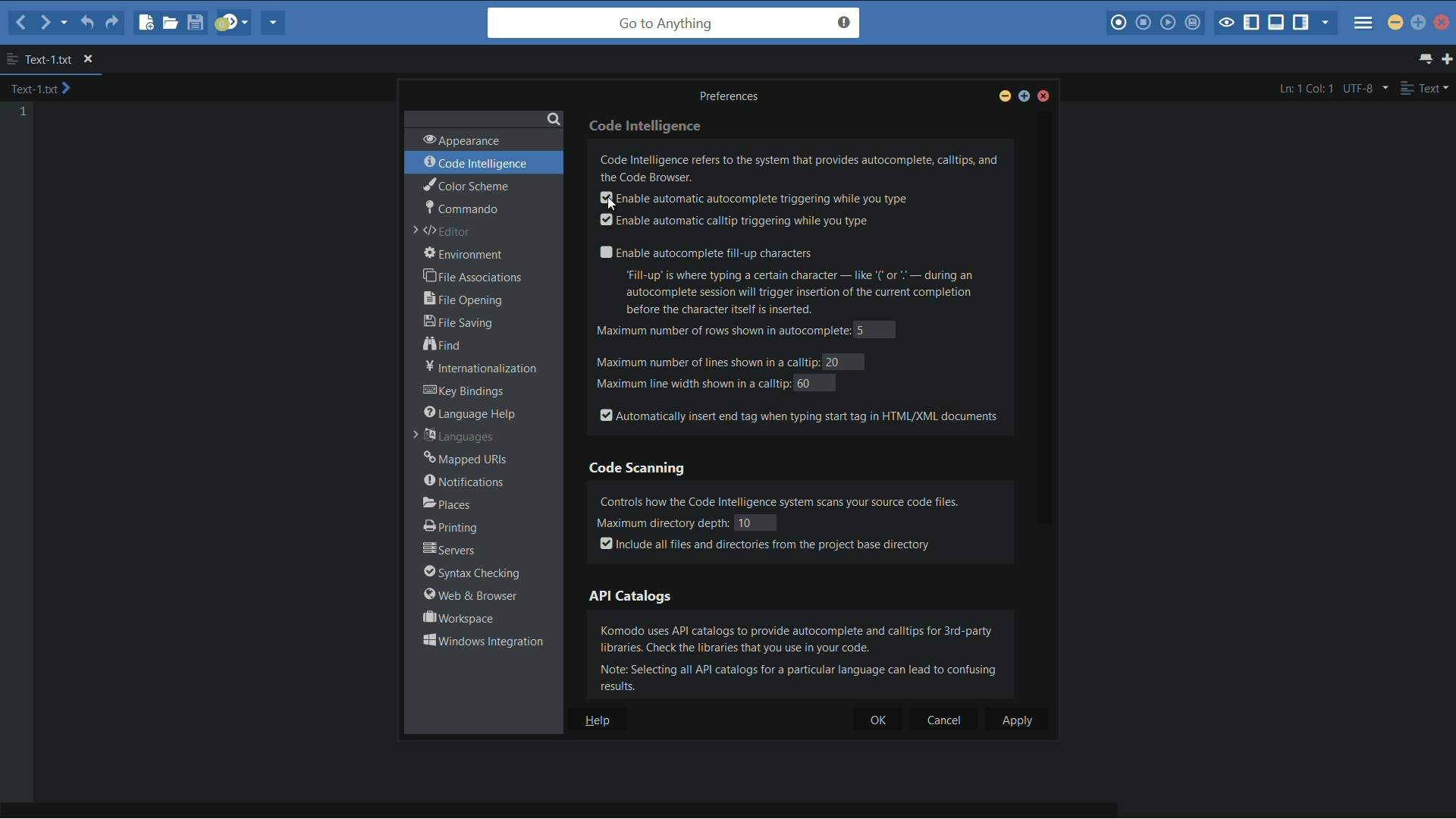  What do you see at coordinates (1427, 59) in the screenshot?
I see `show all tab` at bounding box center [1427, 59].